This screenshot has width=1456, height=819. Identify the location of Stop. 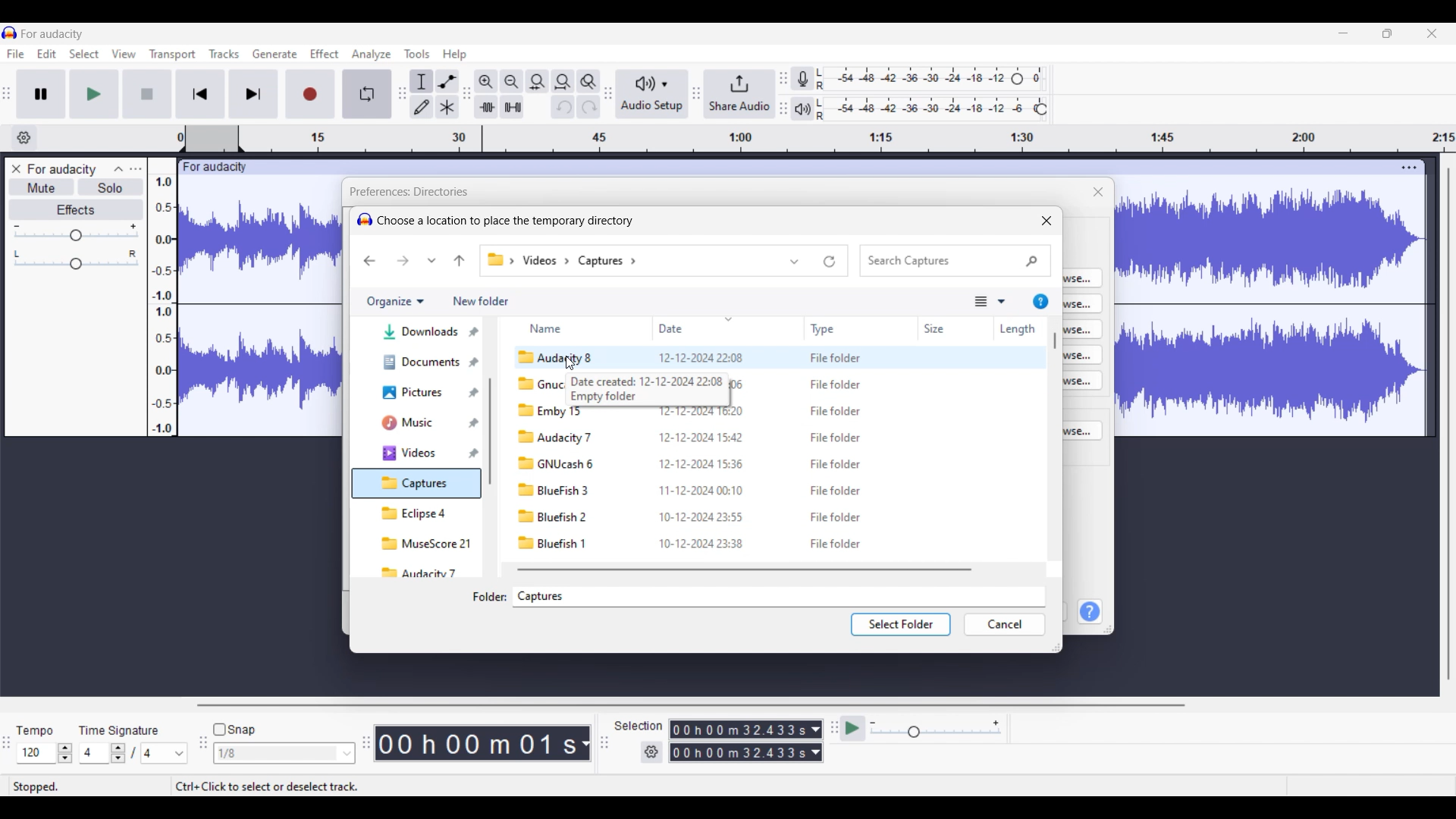
(148, 94).